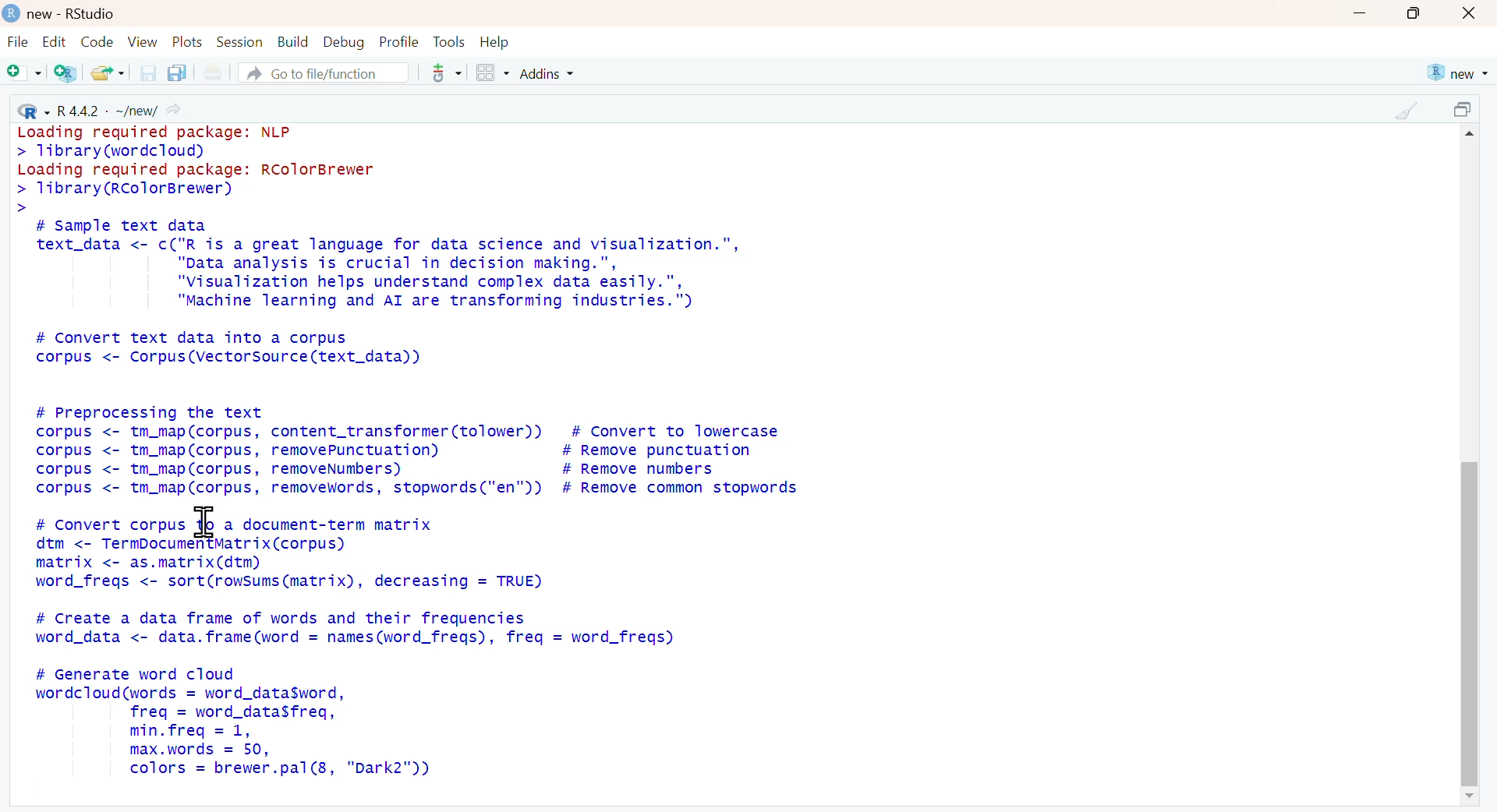  What do you see at coordinates (65, 73) in the screenshot?
I see `Create a project` at bounding box center [65, 73].